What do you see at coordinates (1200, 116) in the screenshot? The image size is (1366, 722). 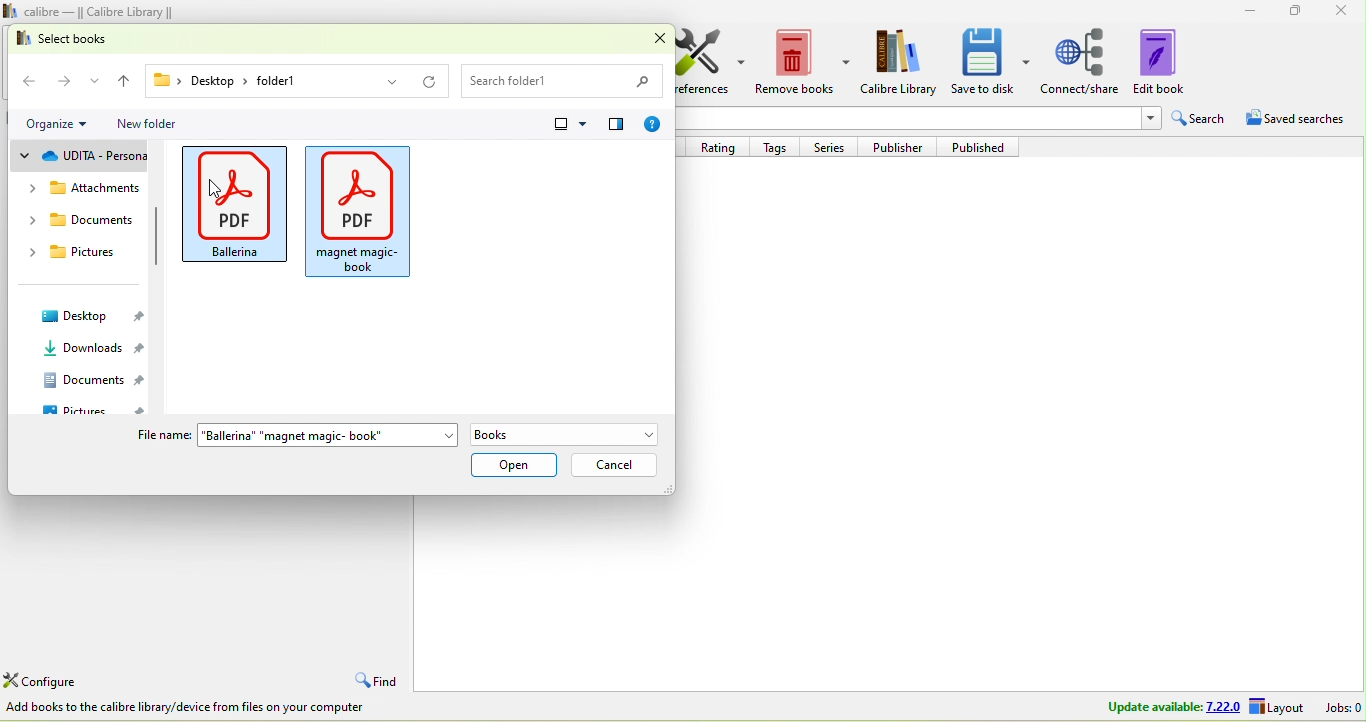 I see `search` at bounding box center [1200, 116].